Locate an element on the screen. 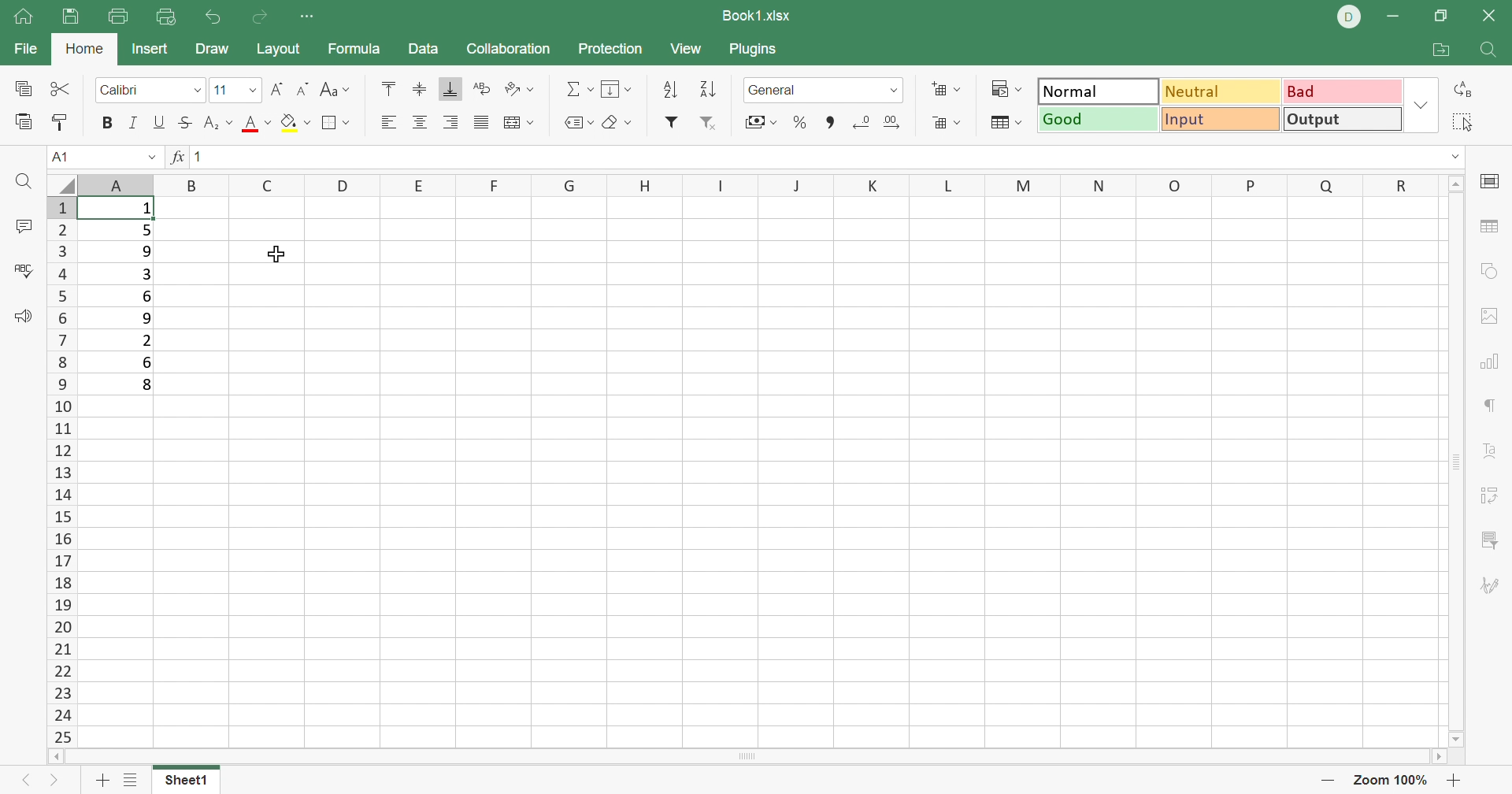 The height and width of the screenshot is (794, 1512). Print is located at coordinates (119, 16).